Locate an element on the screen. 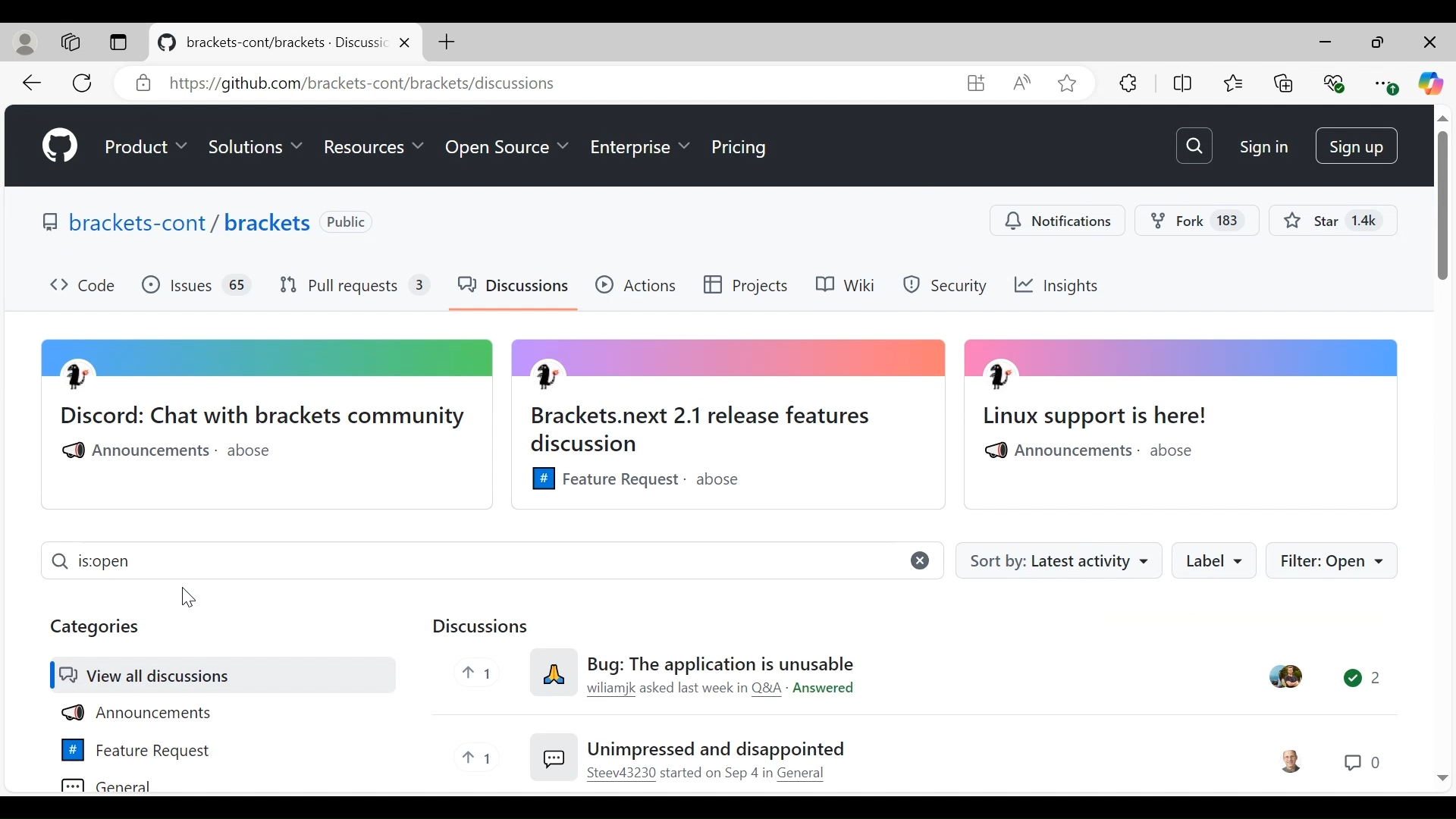  Enterprise is located at coordinates (640, 151).